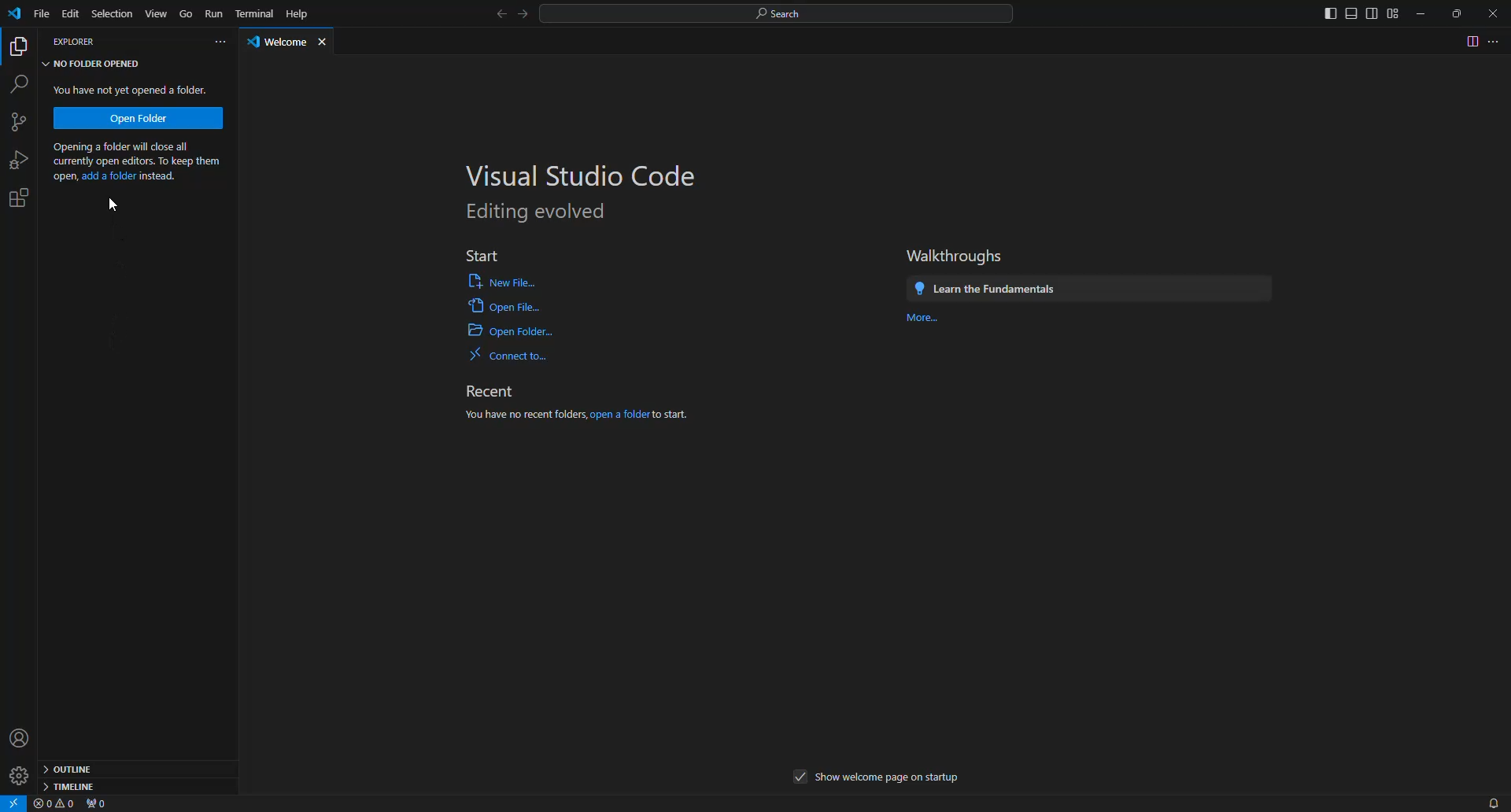  What do you see at coordinates (136, 163) in the screenshot?
I see `currently open editors. to keep them` at bounding box center [136, 163].